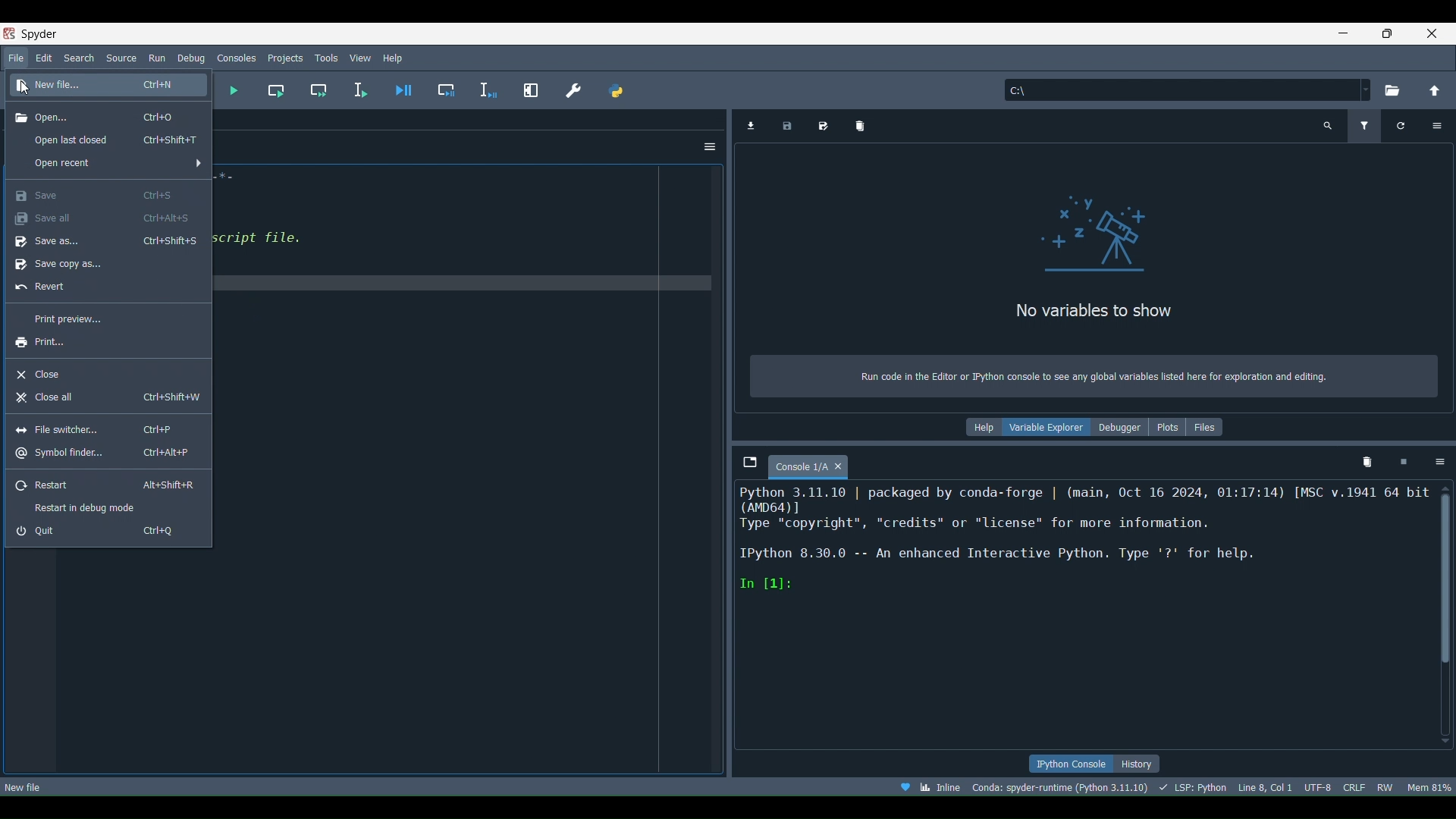 The width and height of the screenshot is (1456, 819). I want to click on Debug, so click(192, 56).